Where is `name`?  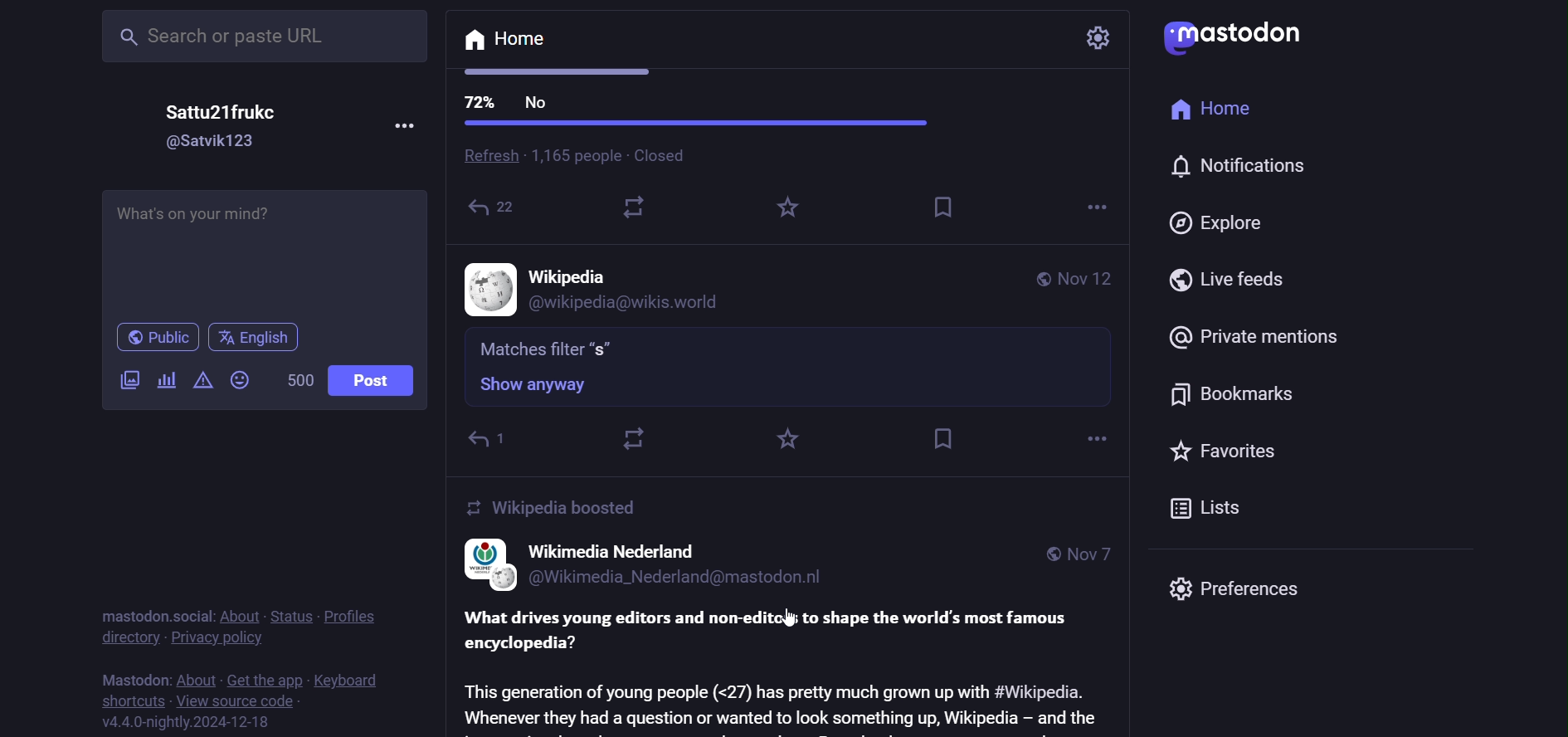
name is located at coordinates (572, 275).